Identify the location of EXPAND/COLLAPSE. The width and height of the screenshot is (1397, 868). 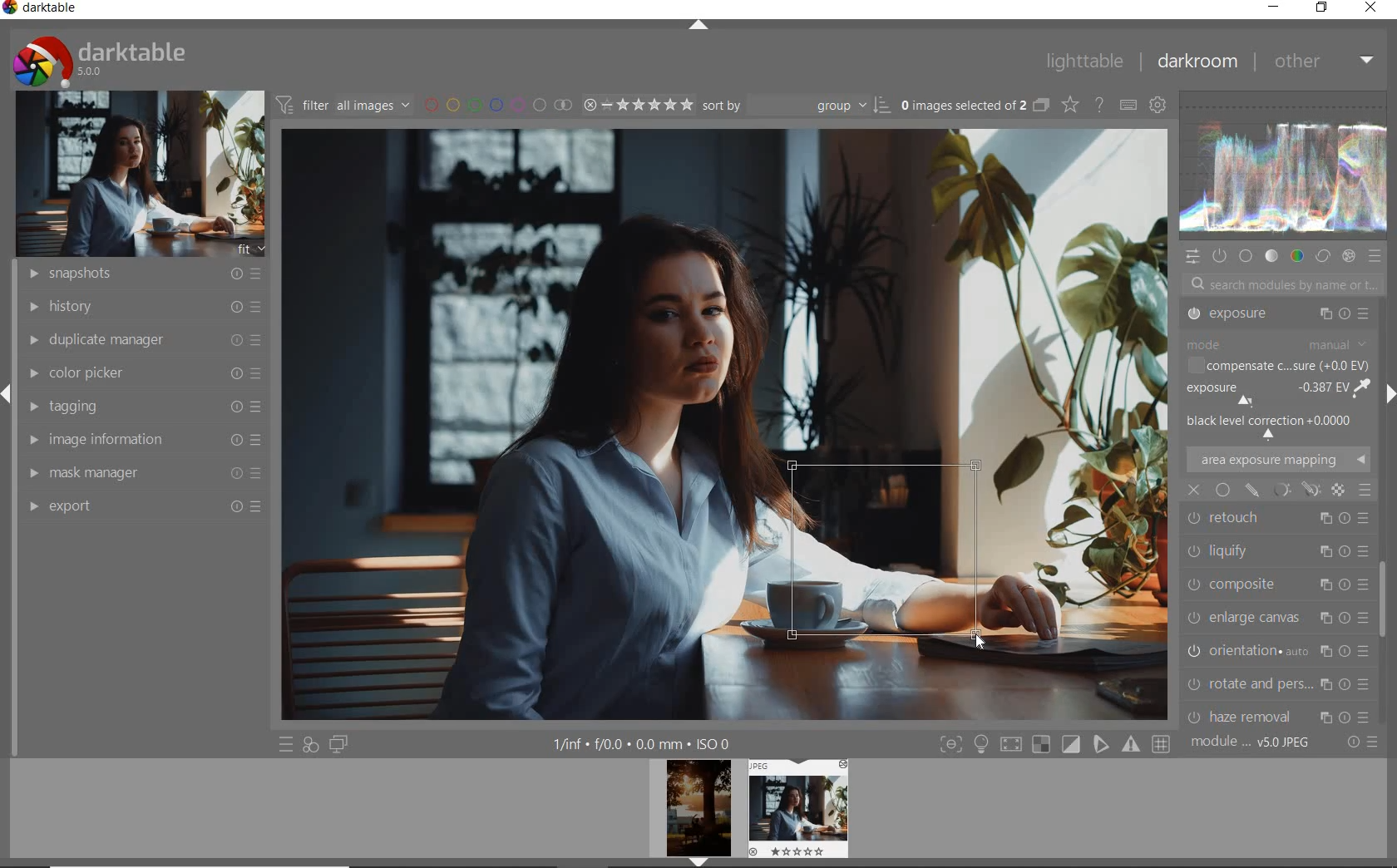
(1389, 394).